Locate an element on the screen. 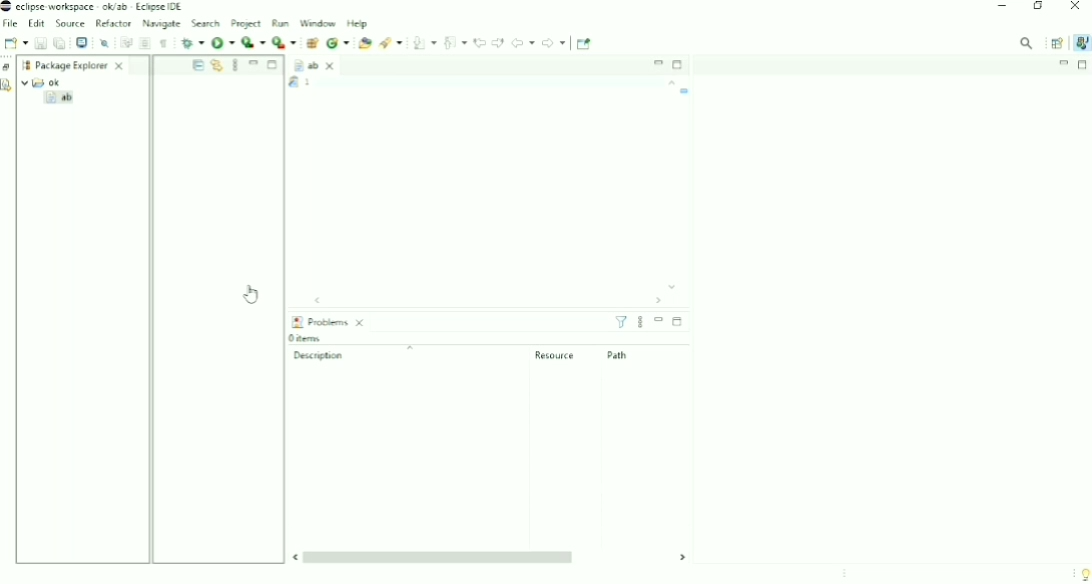 The height and width of the screenshot is (584, 1092). Previous Annotation is located at coordinates (456, 42).